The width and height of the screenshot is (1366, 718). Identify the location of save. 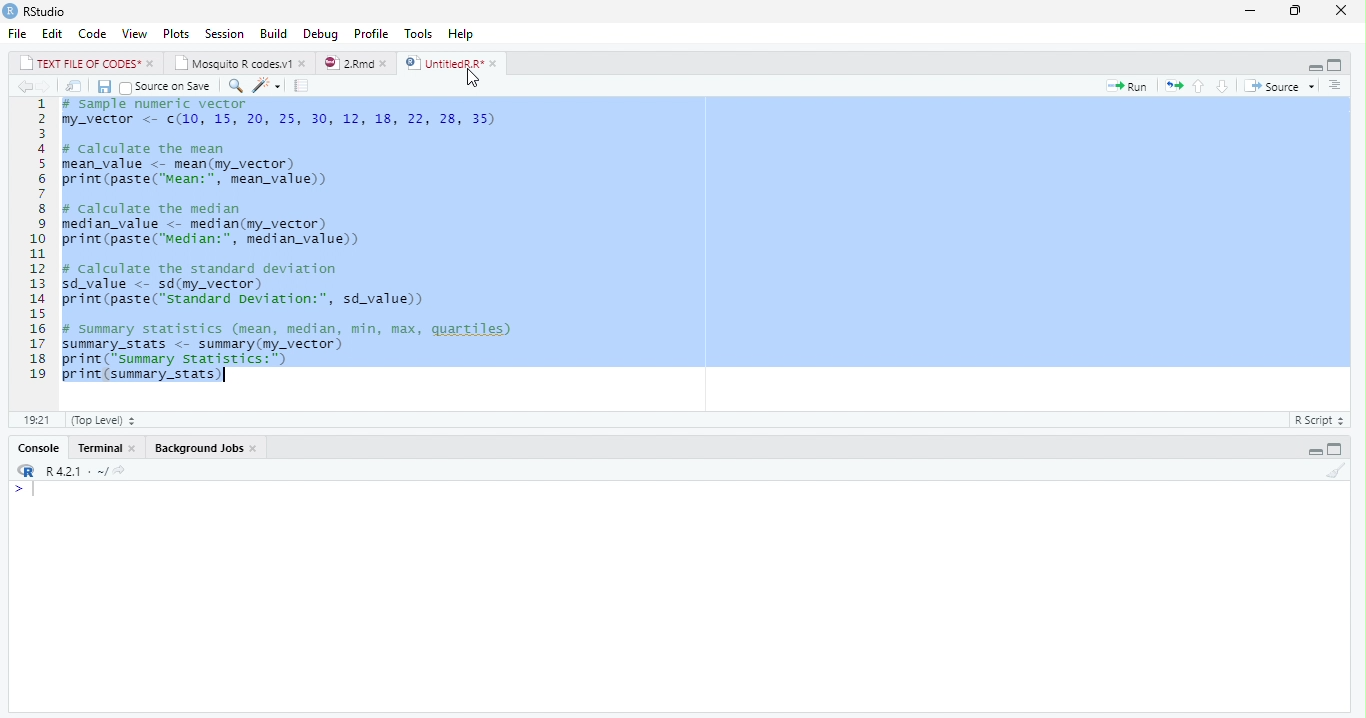
(106, 87).